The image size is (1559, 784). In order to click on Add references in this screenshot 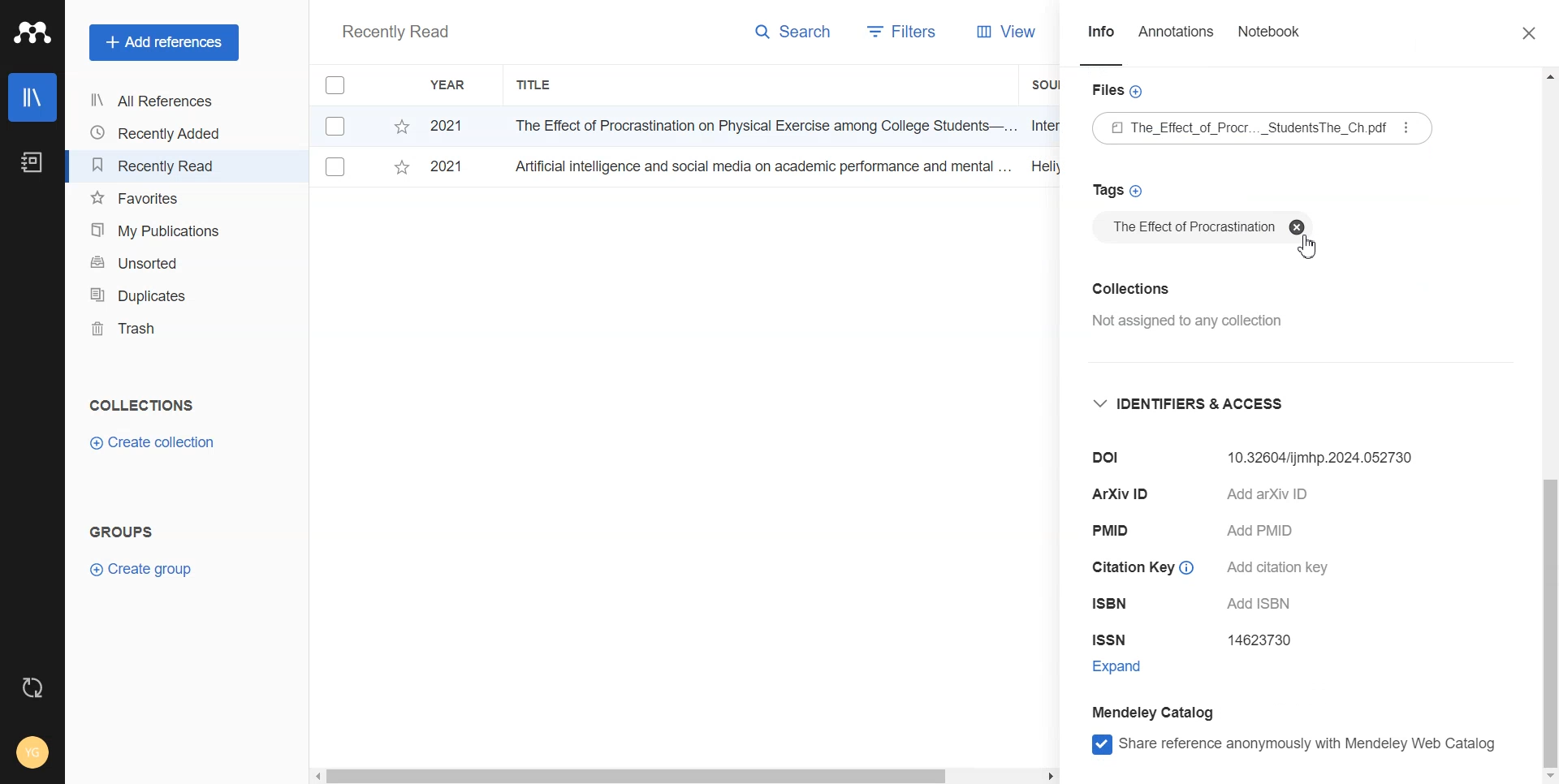, I will do `click(164, 43)`.